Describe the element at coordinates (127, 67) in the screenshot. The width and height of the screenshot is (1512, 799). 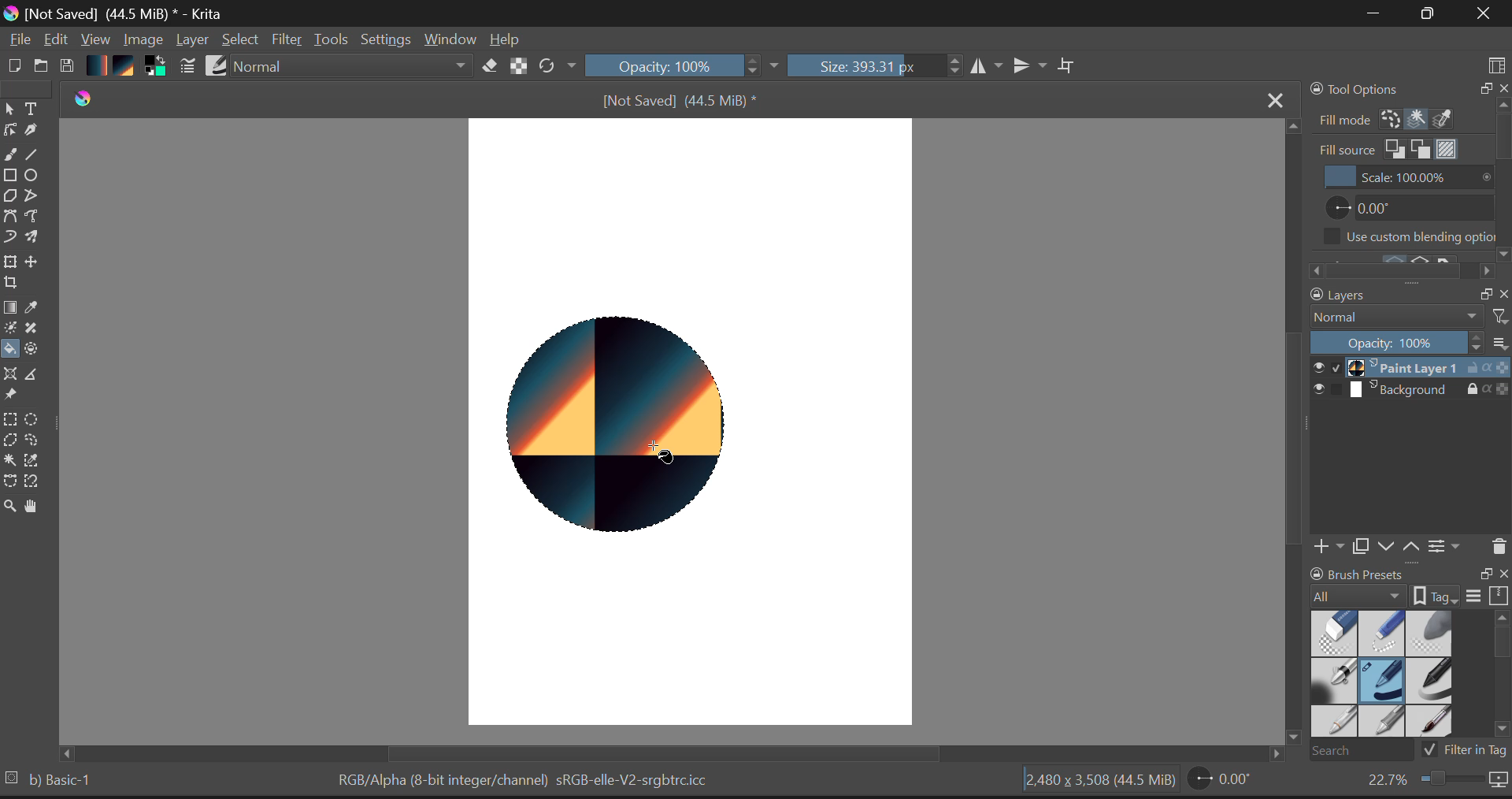
I see `Pattern` at that location.